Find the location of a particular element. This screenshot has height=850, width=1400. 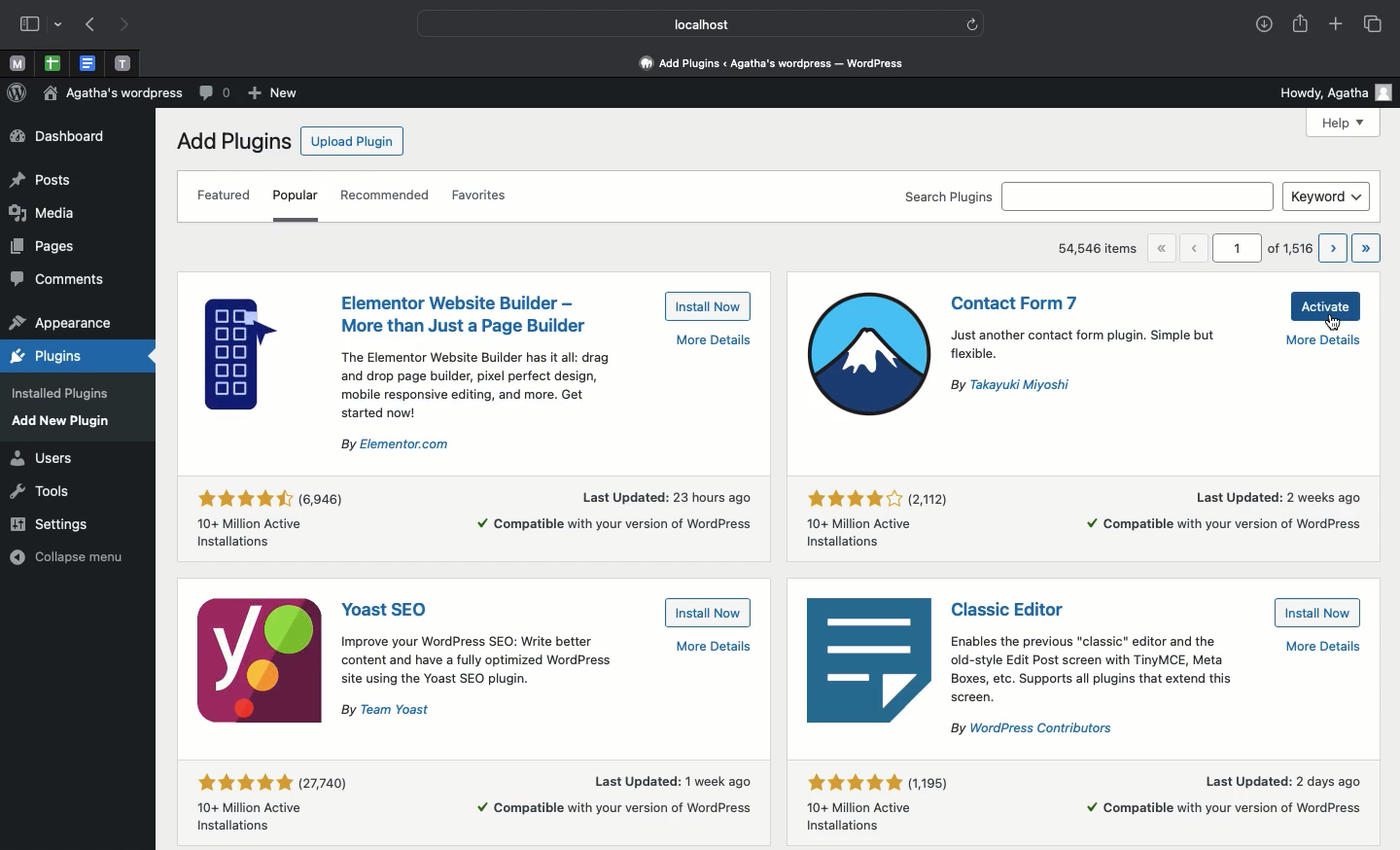

Yoast SEO is located at coordinates (385, 610).